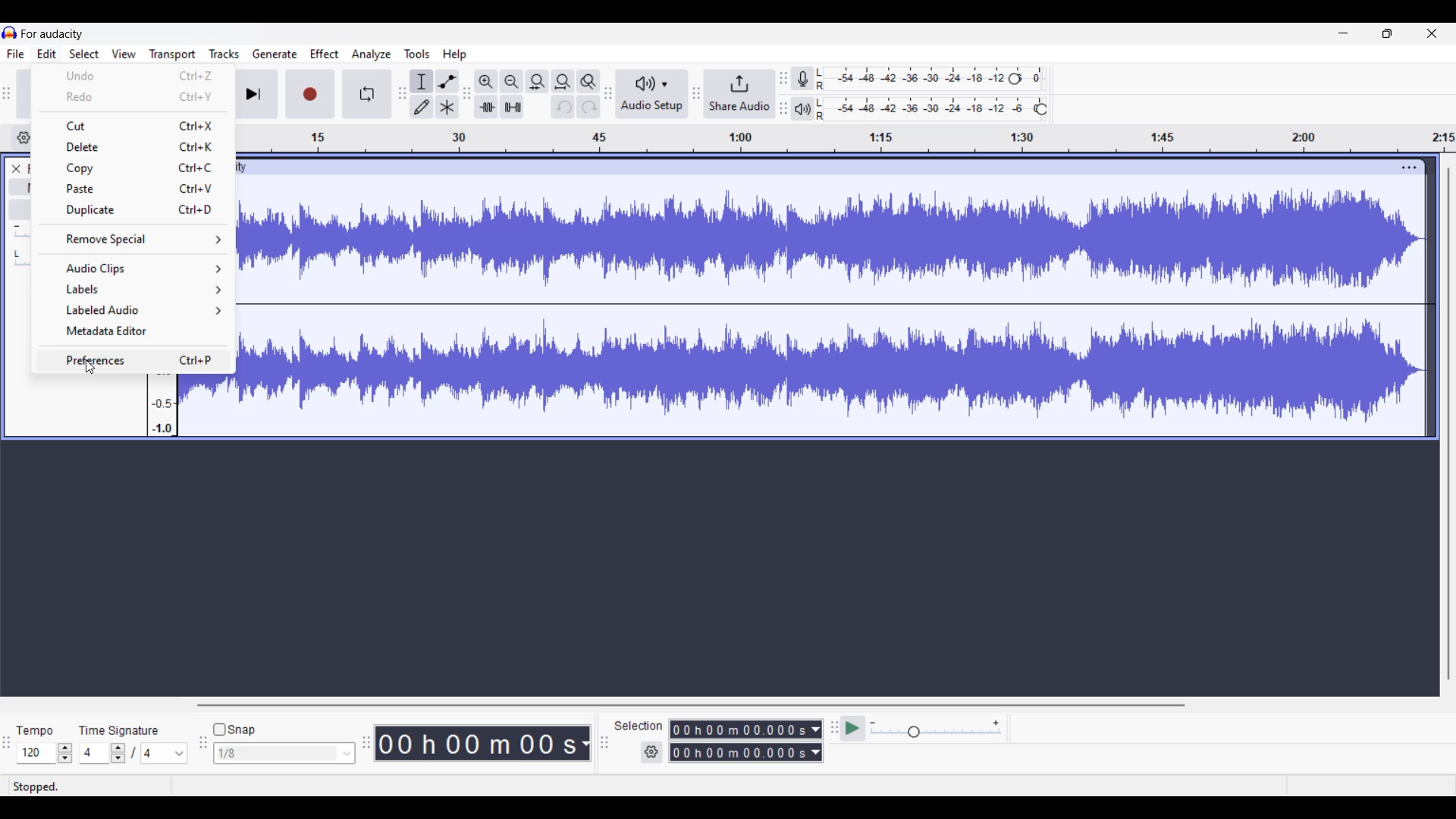  Describe the element at coordinates (129, 96) in the screenshot. I see `redo` at that location.